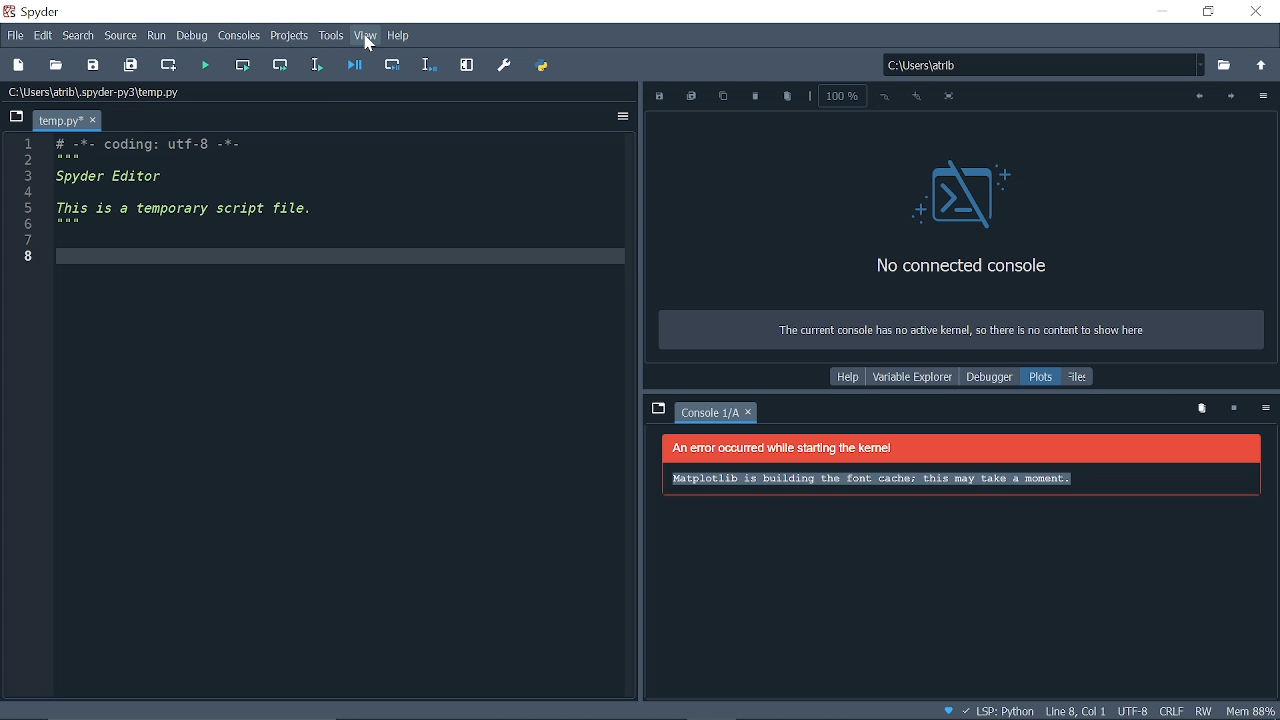 This screenshot has width=1280, height=720. What do you see at coordinates (170, 66) in the screenshot?
I see `Create new cell at the current line` at bounding box center [170, 66].